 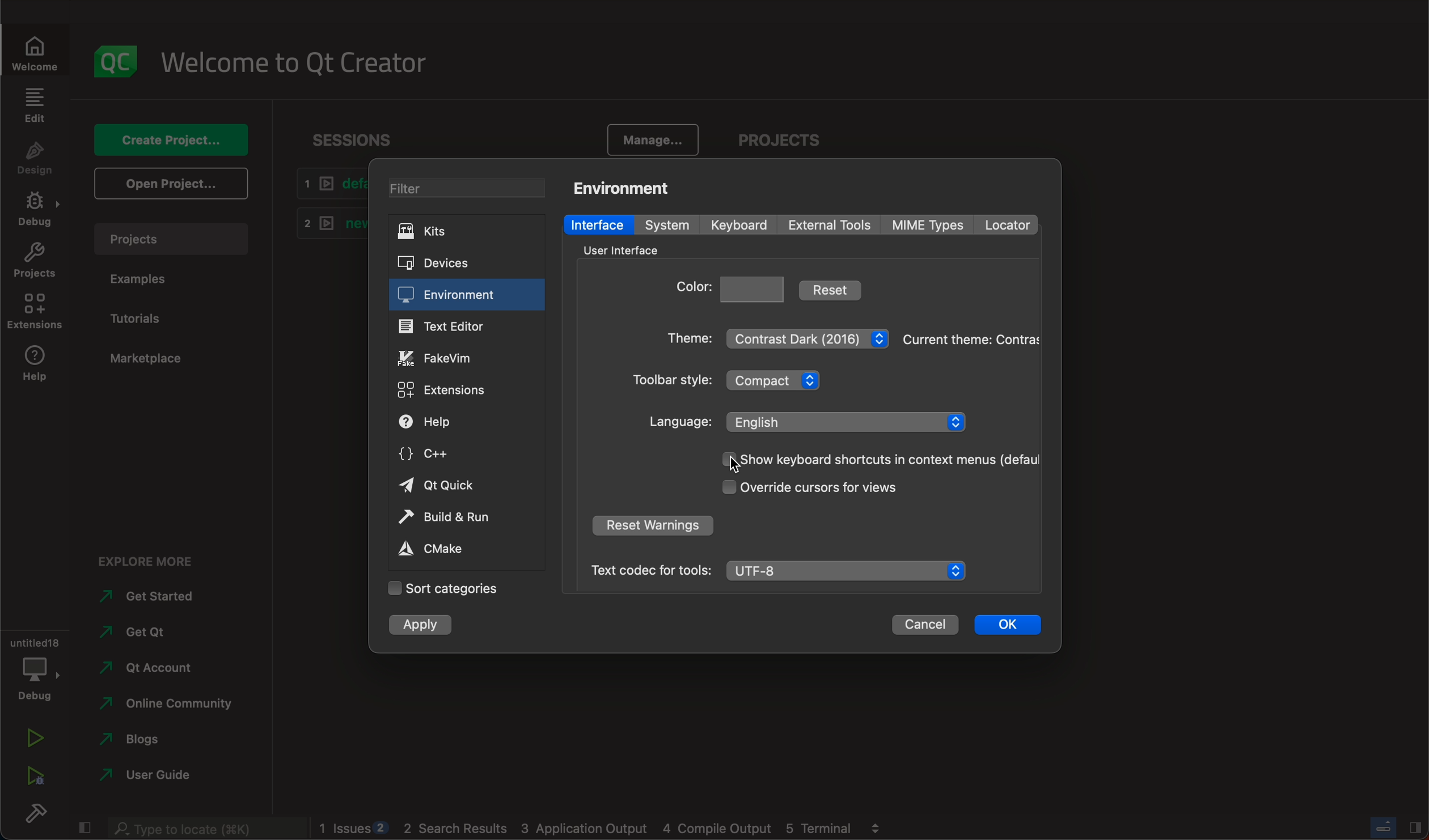 What do you see at coordinates (32, 260) in the screenshot?
I see `projects` at bounding box center [32, 260].